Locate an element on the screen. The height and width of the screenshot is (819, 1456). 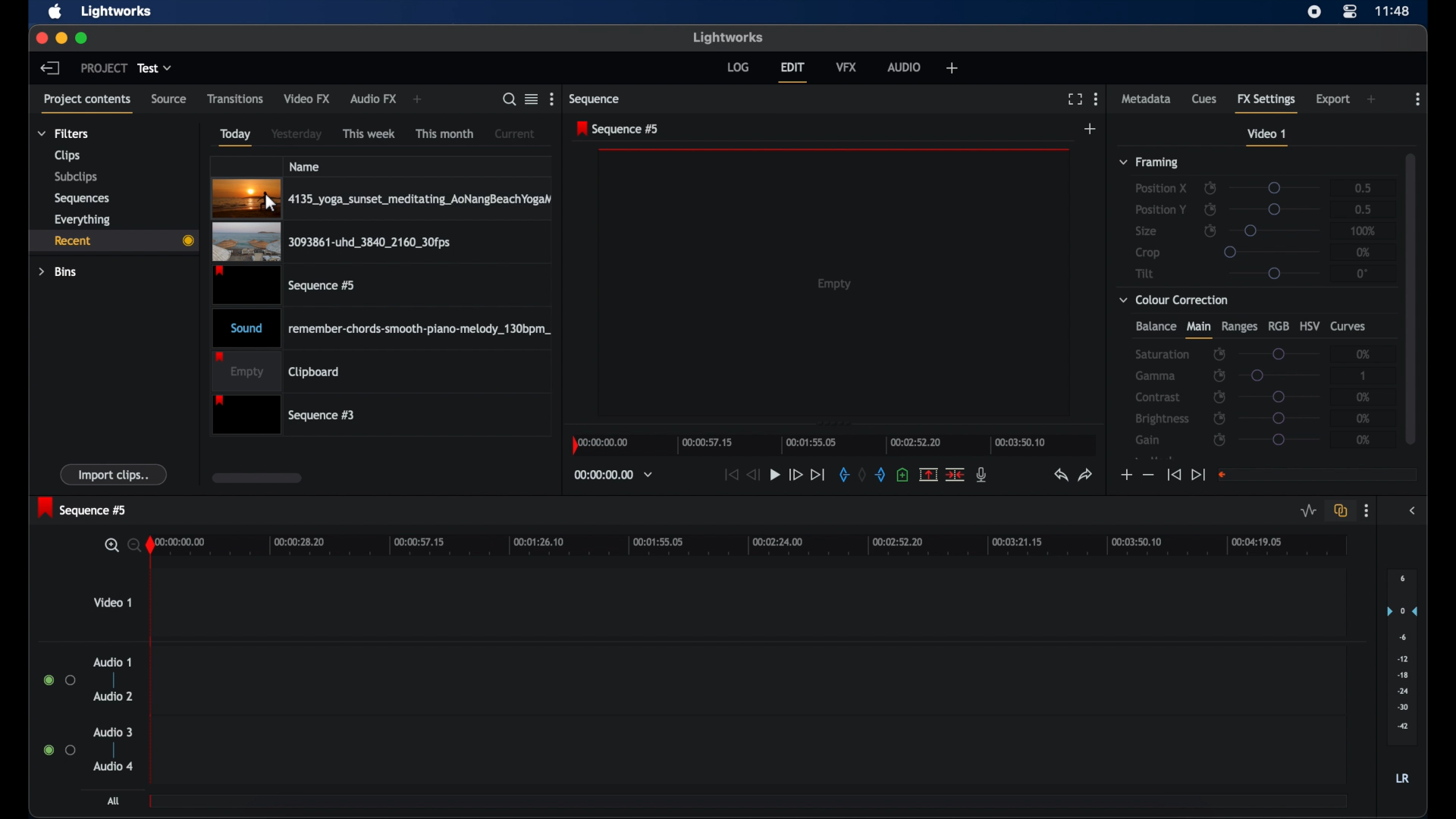
cues is located at coordinates (1205, 99).